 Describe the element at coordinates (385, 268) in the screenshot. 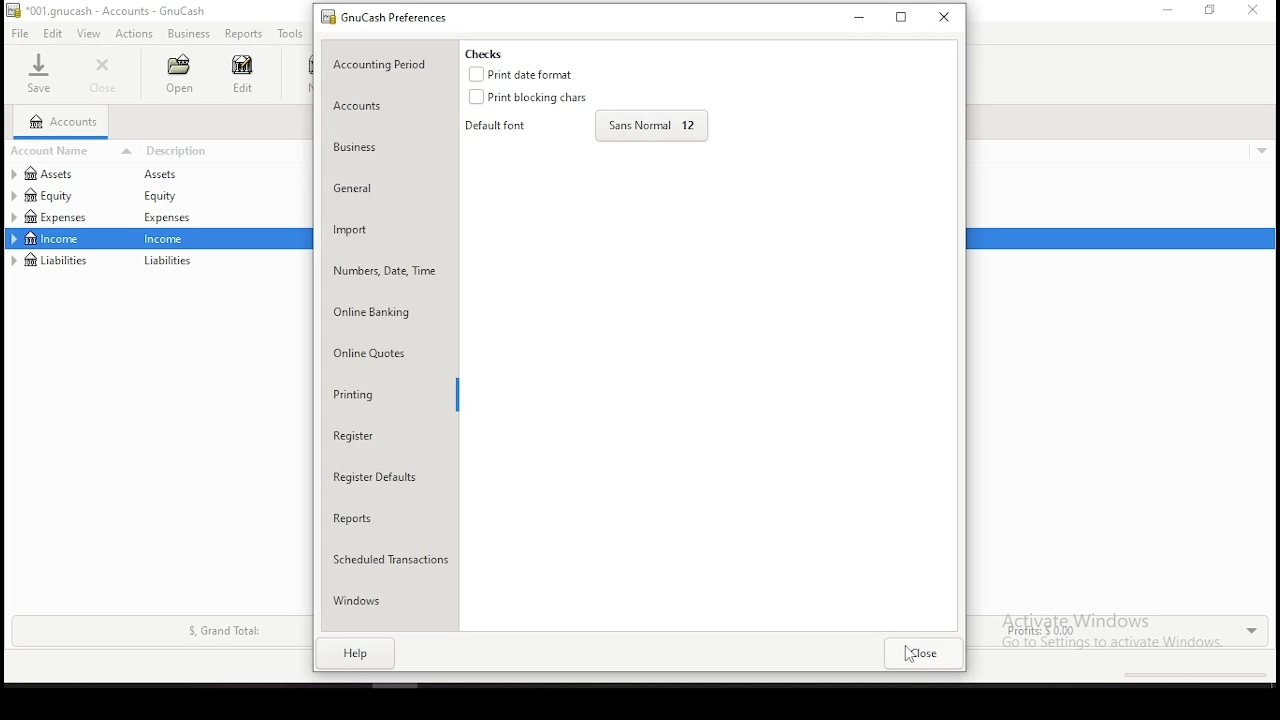

I see `number, date, time` at that location.